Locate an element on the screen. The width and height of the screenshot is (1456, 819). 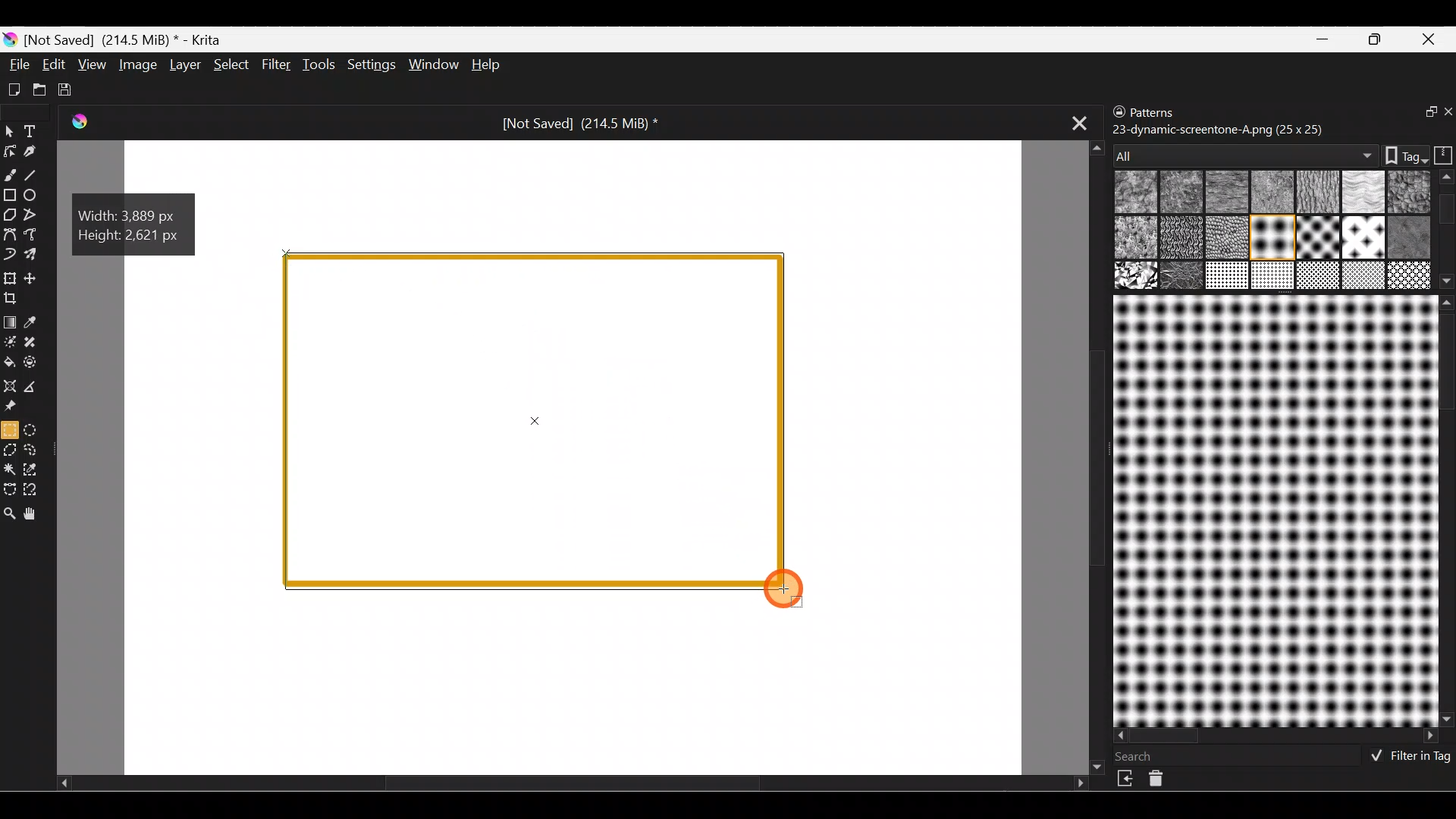
Bezier curve tool is located at coordinates (9, 236).